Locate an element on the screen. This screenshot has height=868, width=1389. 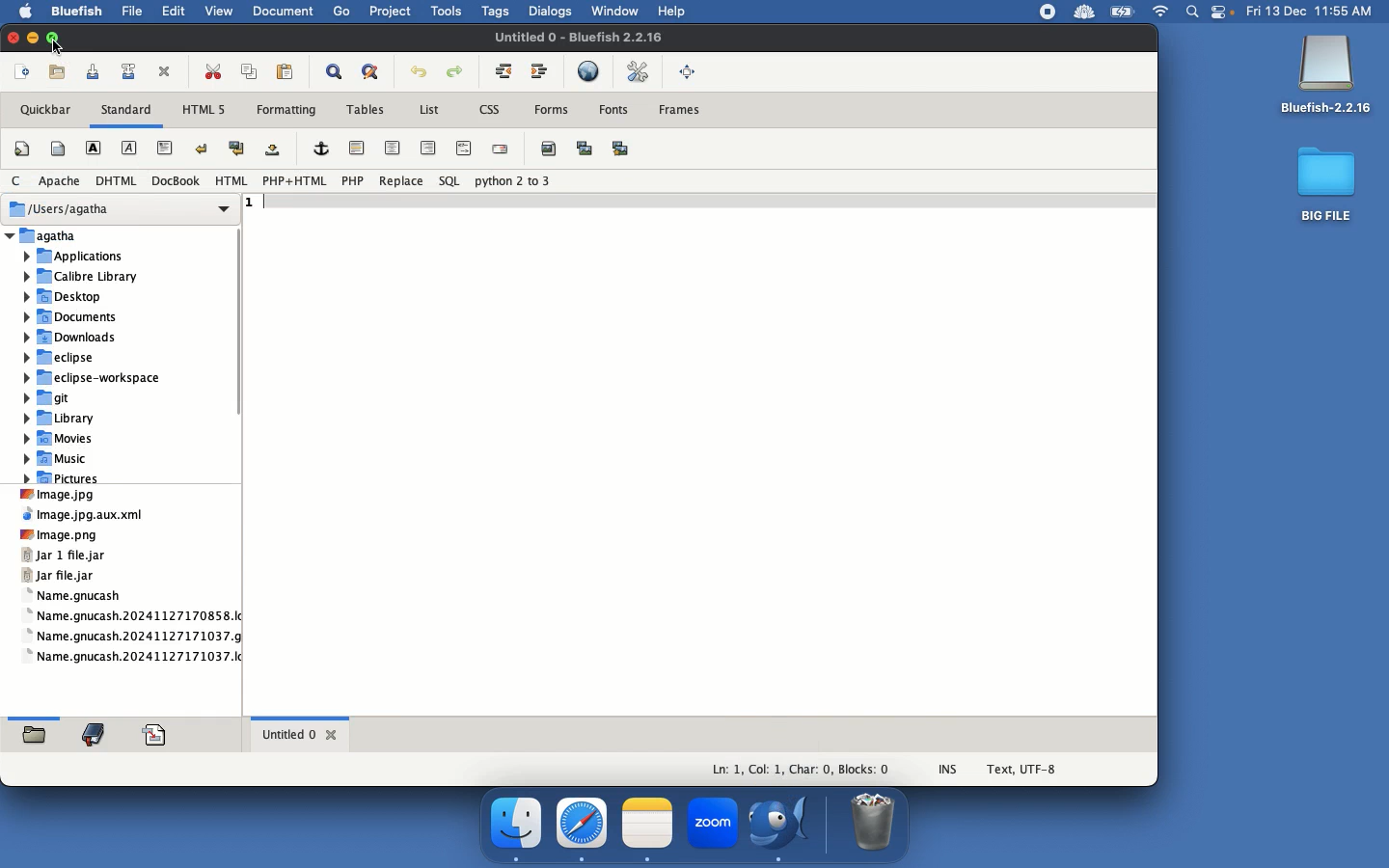
Bluefish is located at coordinates (1326, 76).